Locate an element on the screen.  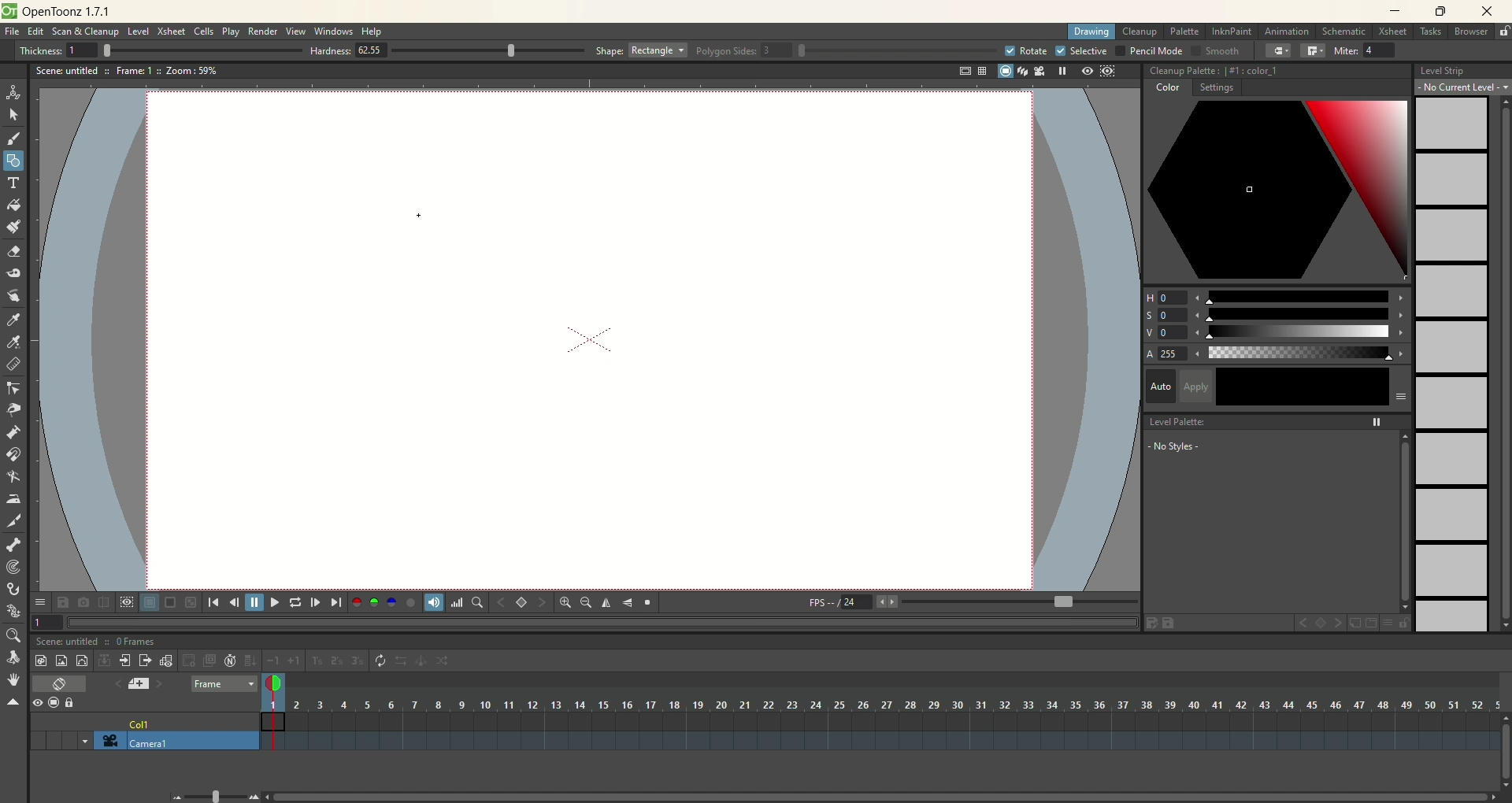
type tool is located at coordinates (15, 183).